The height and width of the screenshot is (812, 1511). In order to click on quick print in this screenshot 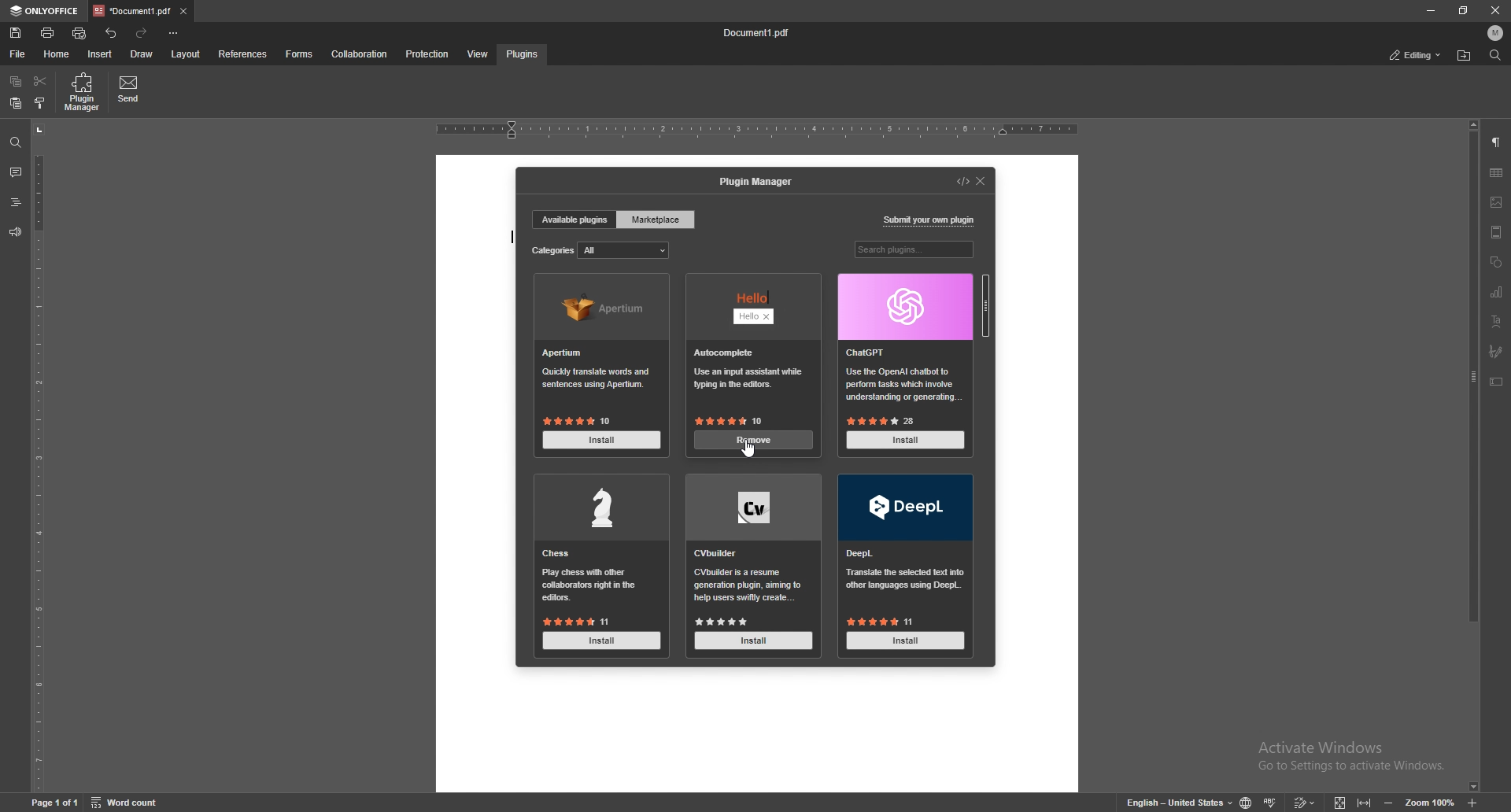, I will do `click(79, 33)`.